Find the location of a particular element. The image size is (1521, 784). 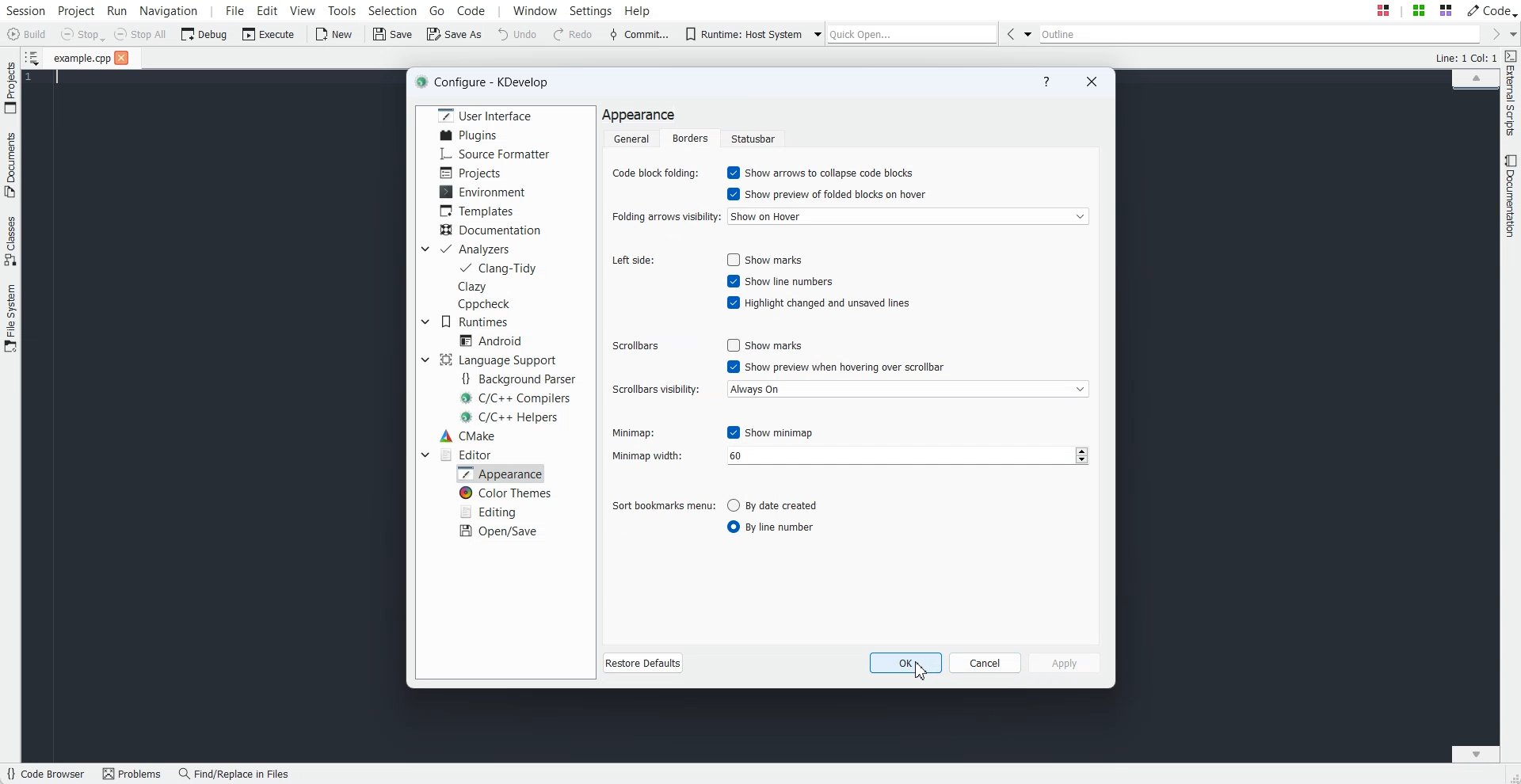

External Scripts is located at coordinates (1511, 93).